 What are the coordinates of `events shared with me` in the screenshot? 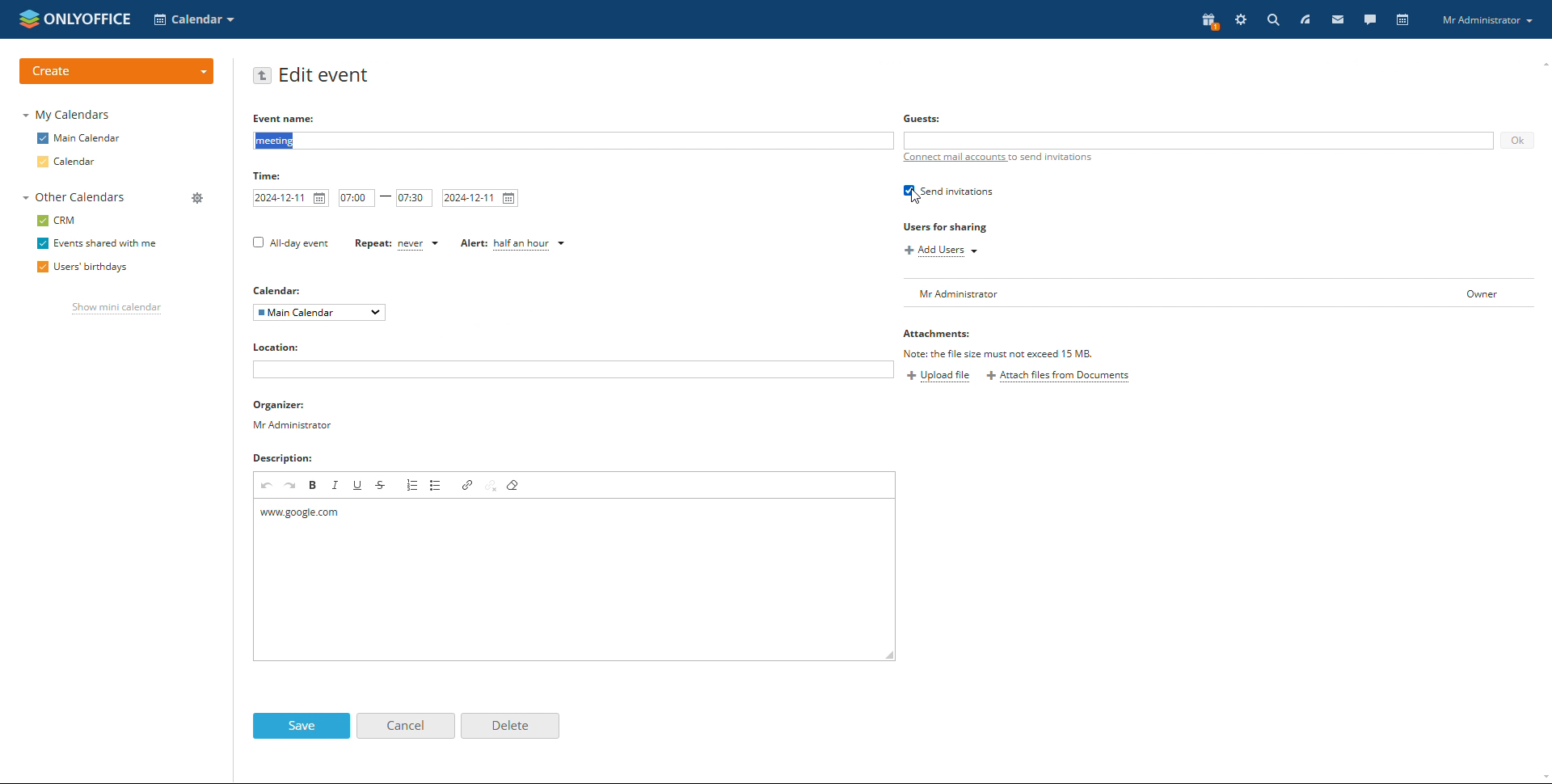 It's located at (98, 243).